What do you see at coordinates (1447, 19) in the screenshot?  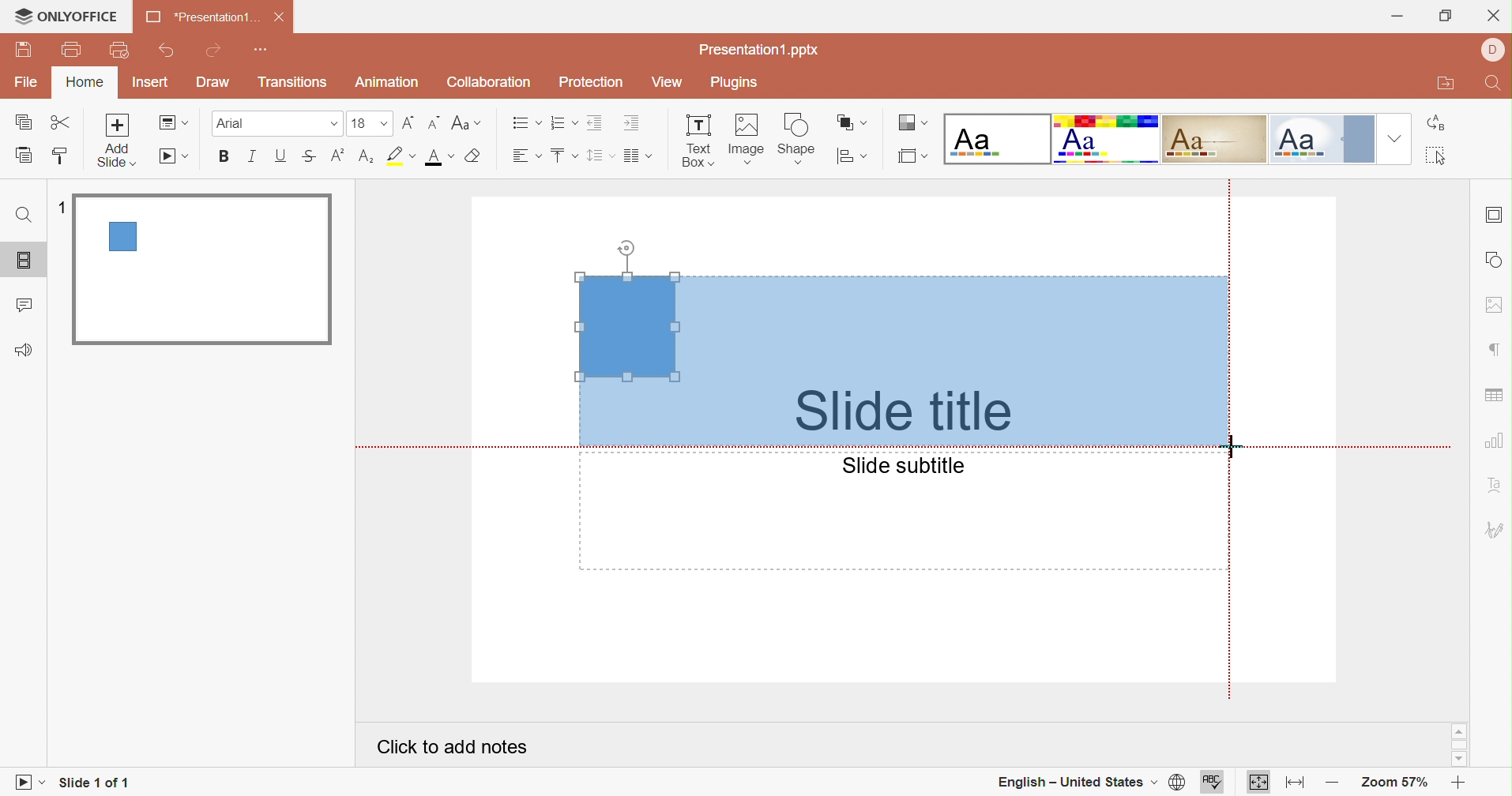 I see `Restore down` at bounding box center [1447, 19].